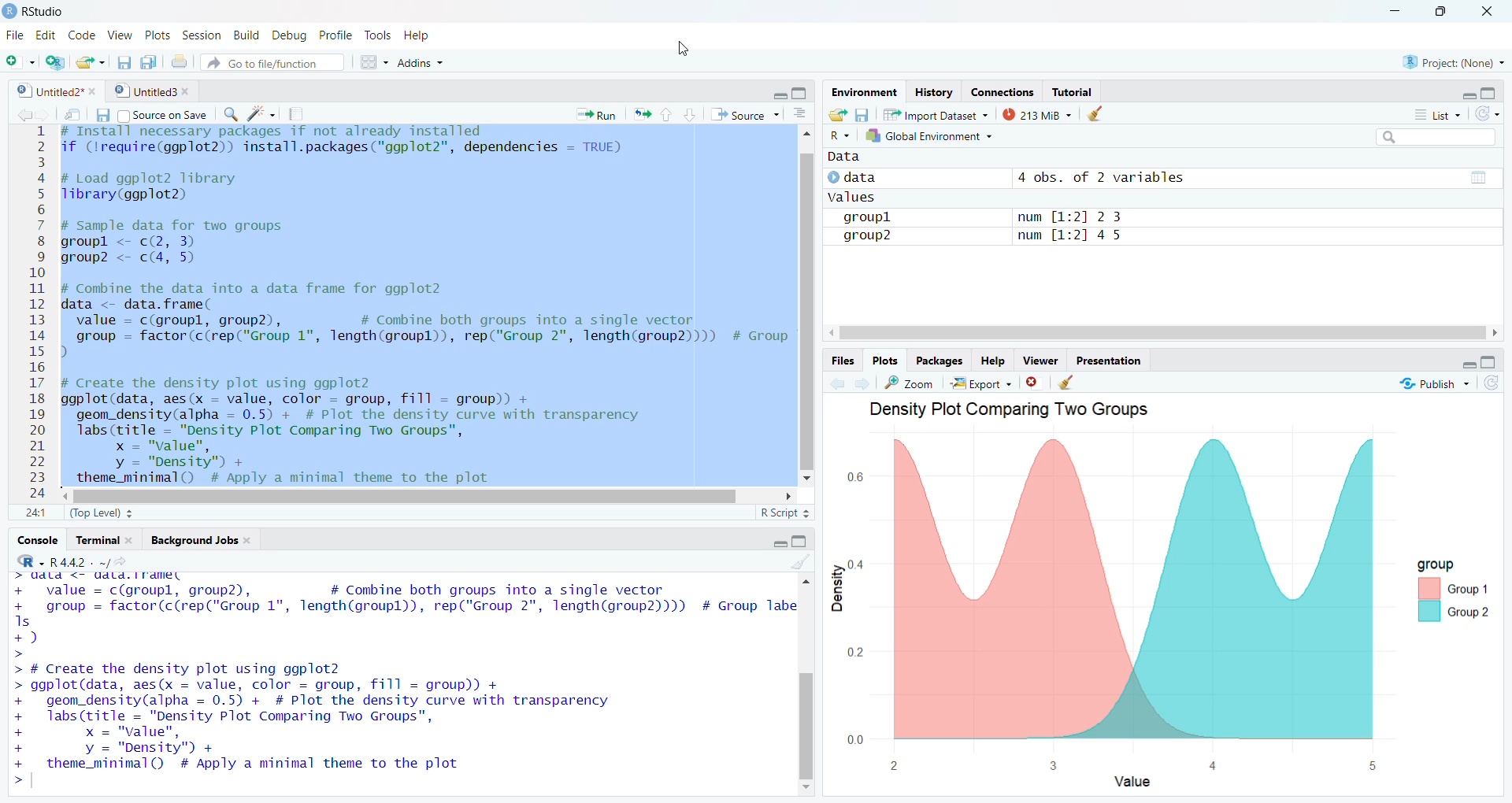  Describe the element at coordinates (999, 90) in the screenshot. I see `connections` at that location.